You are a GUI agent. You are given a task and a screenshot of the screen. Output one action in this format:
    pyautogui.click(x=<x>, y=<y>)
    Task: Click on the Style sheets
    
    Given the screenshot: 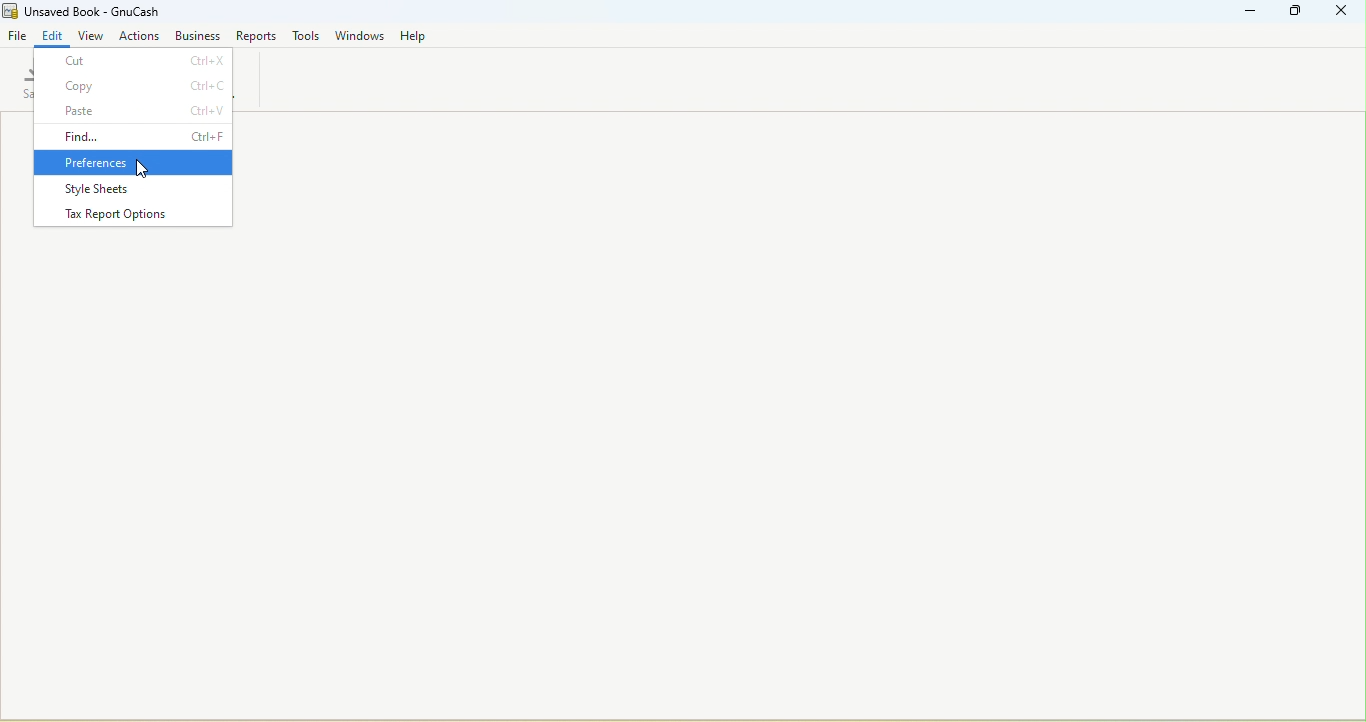 What is the action you would take?
    pyautogui.click(x=134, y=188)
    